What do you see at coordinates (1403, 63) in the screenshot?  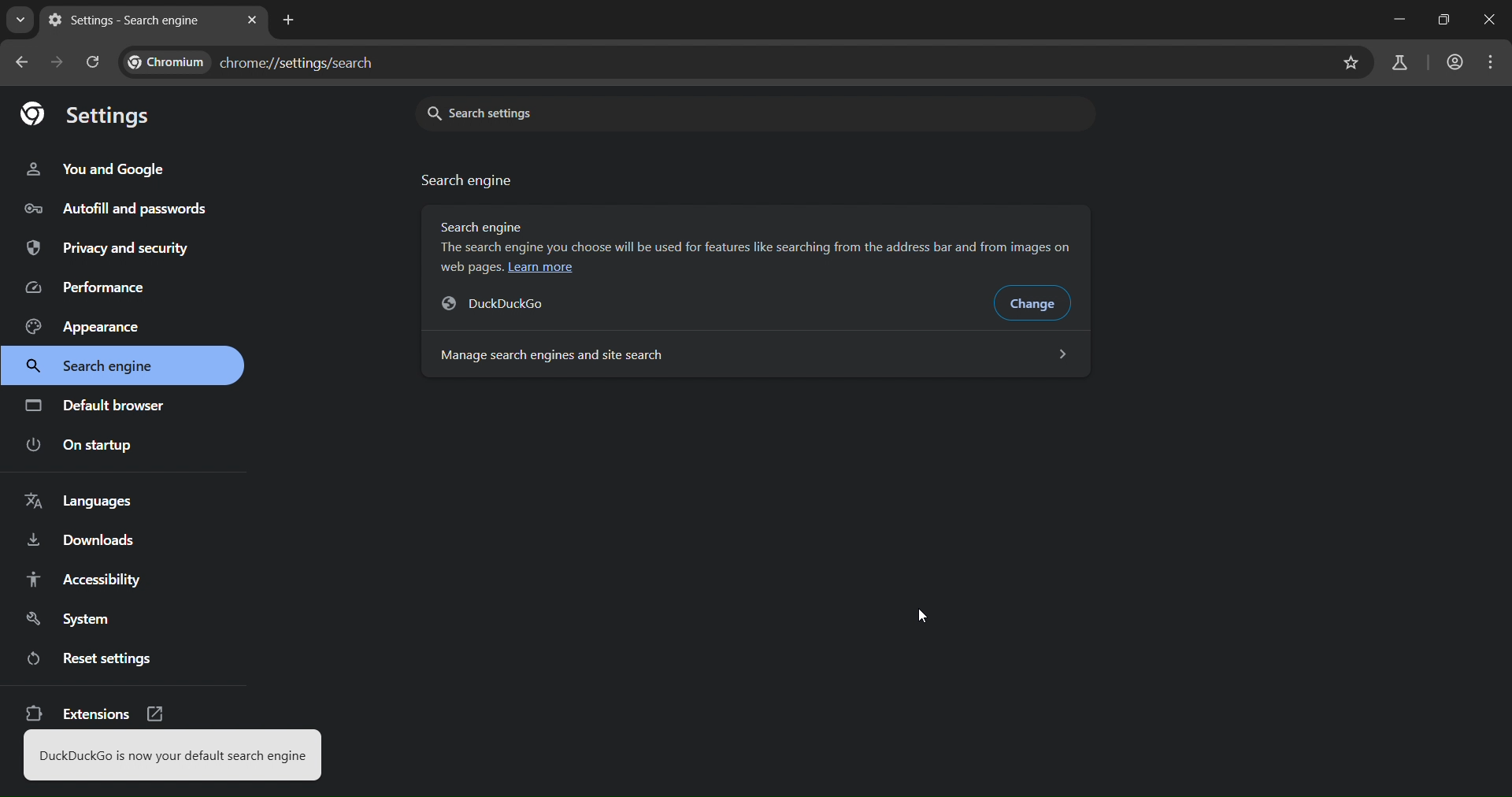 I see `search labs` at bounding box center [1403, 63].